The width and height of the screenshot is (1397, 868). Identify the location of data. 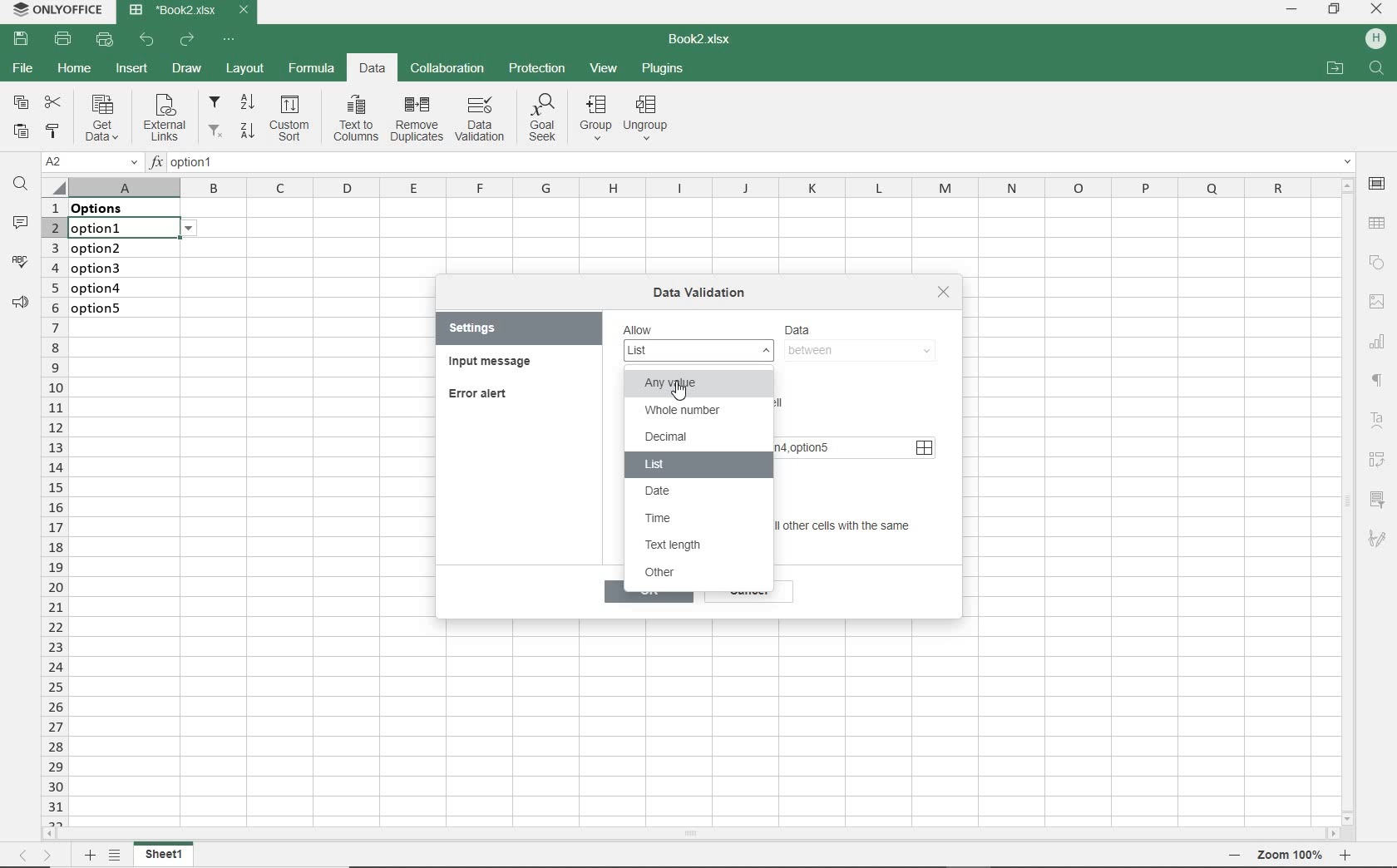
(110, 208).